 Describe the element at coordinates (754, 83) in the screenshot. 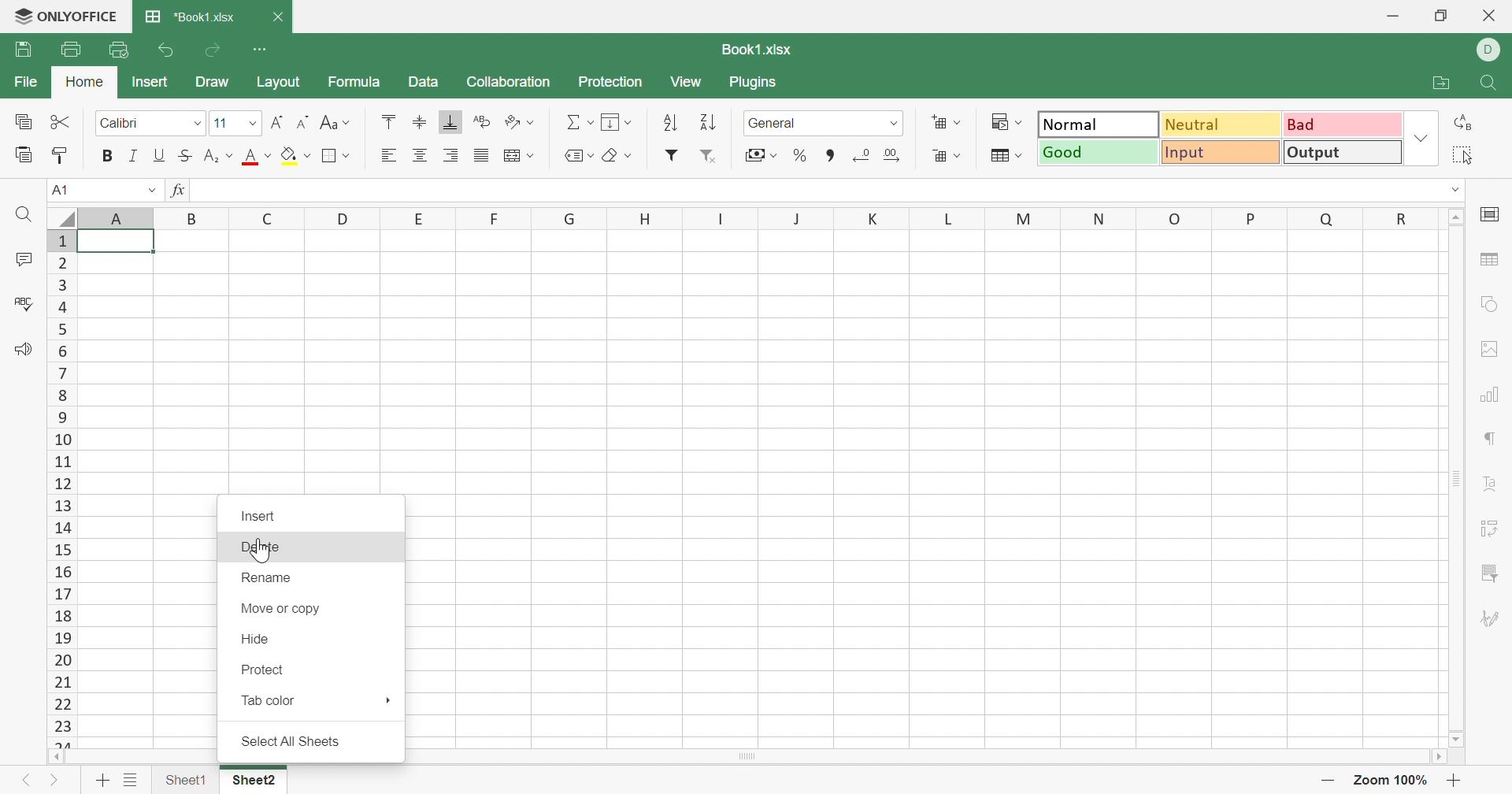

I see `Plugins` at that location.